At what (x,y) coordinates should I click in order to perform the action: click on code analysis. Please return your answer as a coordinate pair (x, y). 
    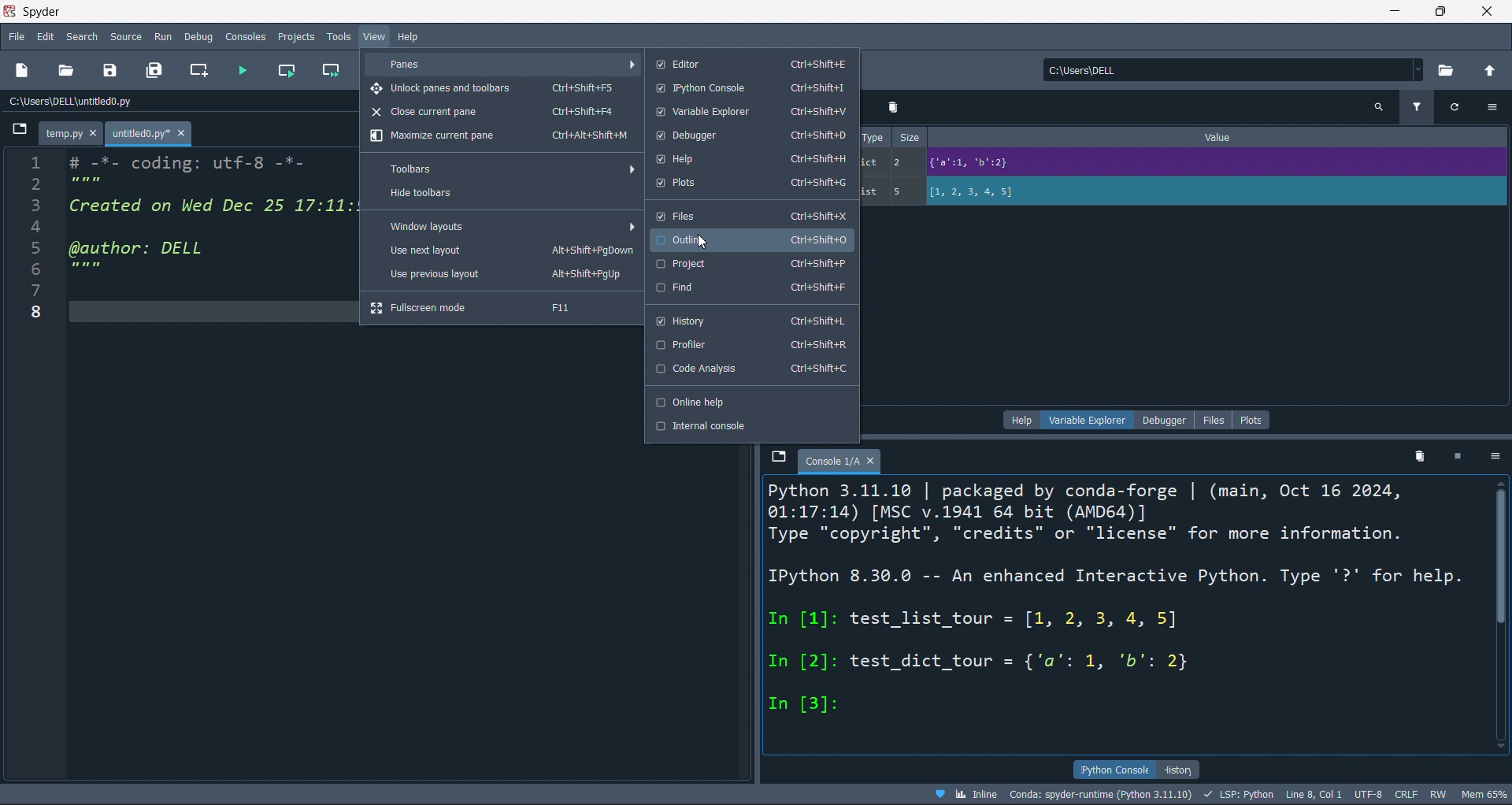
    Looking at the image, I should click on (747, 369).